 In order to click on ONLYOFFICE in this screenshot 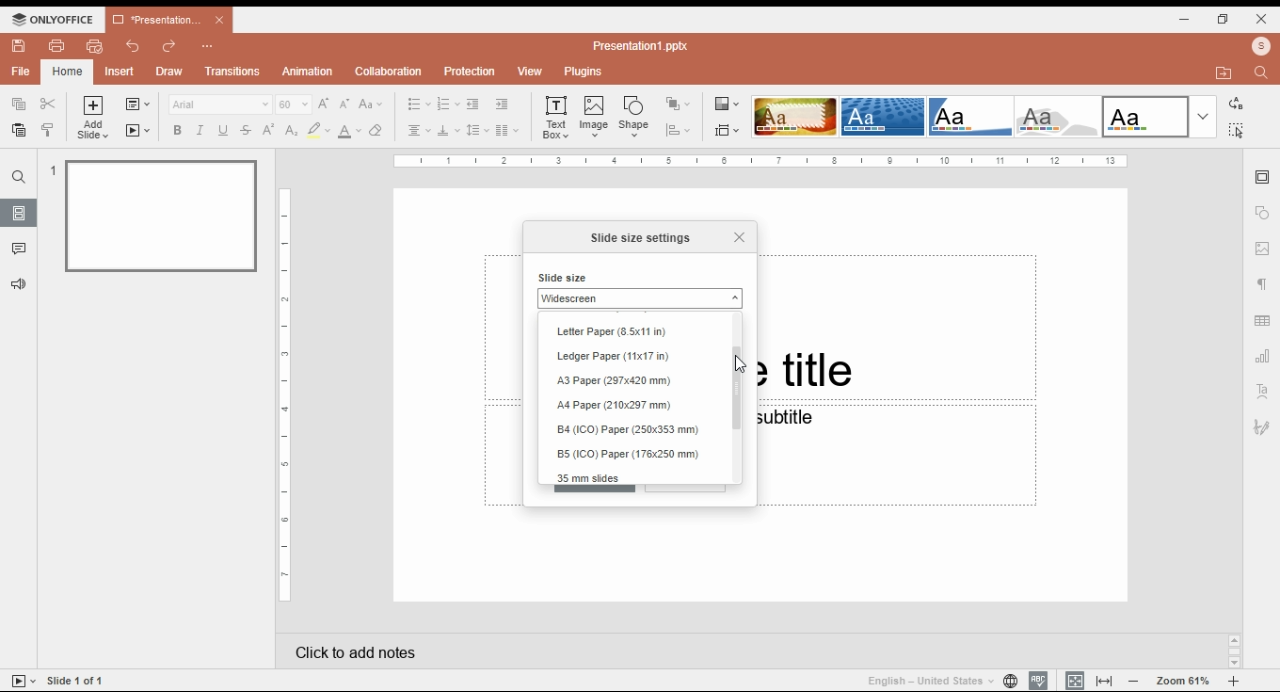, I will do `click(53, 19)`.